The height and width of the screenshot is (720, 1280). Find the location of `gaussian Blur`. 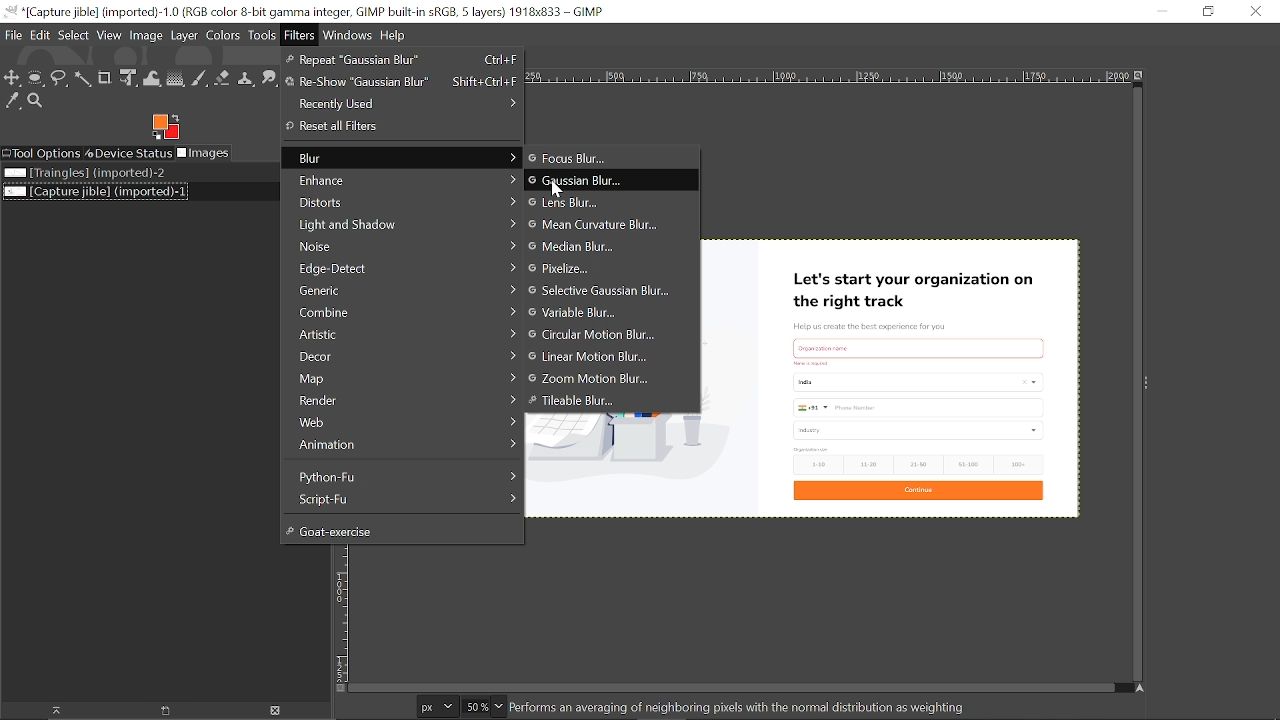

gaussian Blur is located at coordinates (610, 180).